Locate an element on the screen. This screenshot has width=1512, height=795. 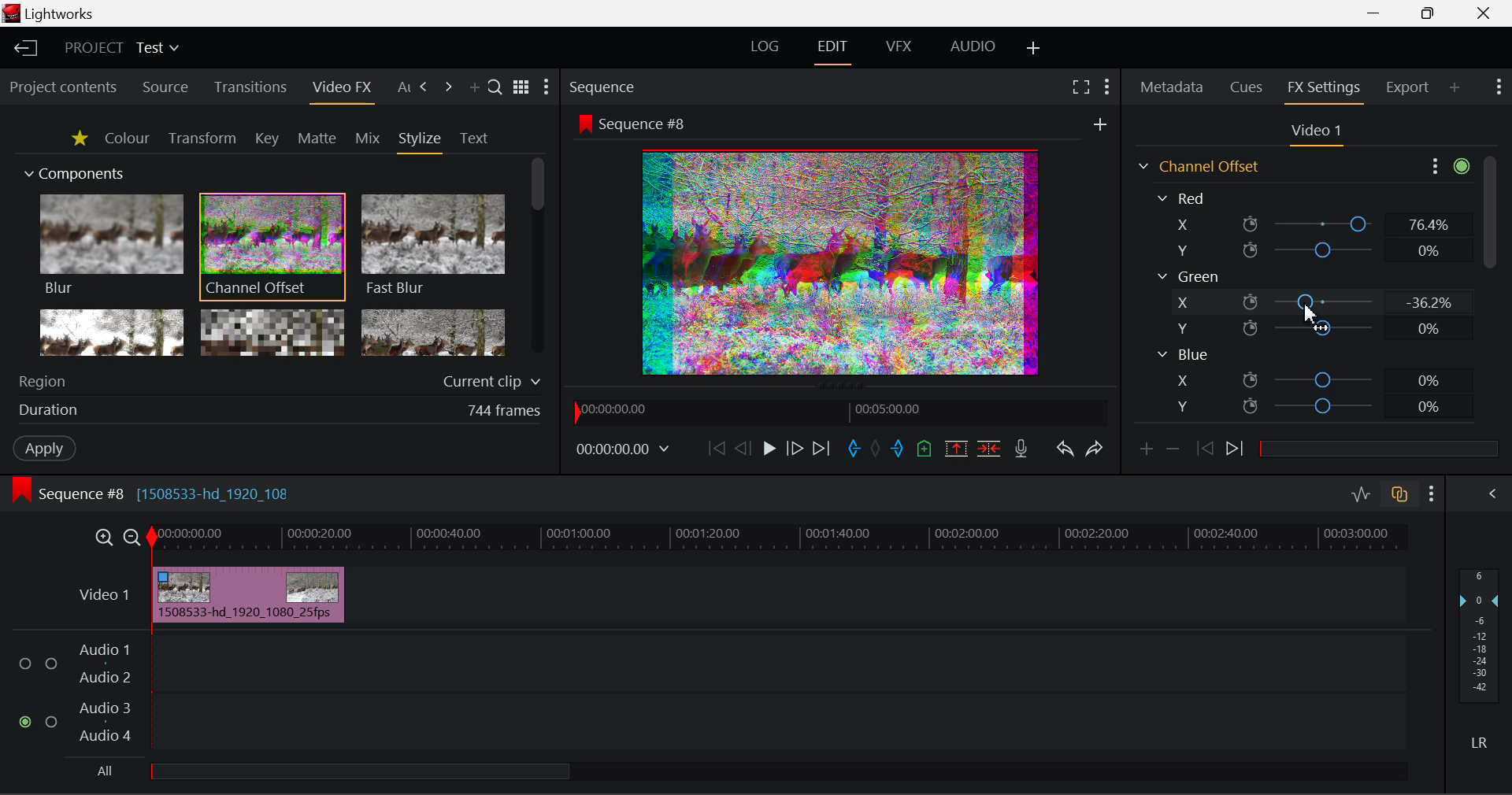
all is located at coordinates (326, 771).